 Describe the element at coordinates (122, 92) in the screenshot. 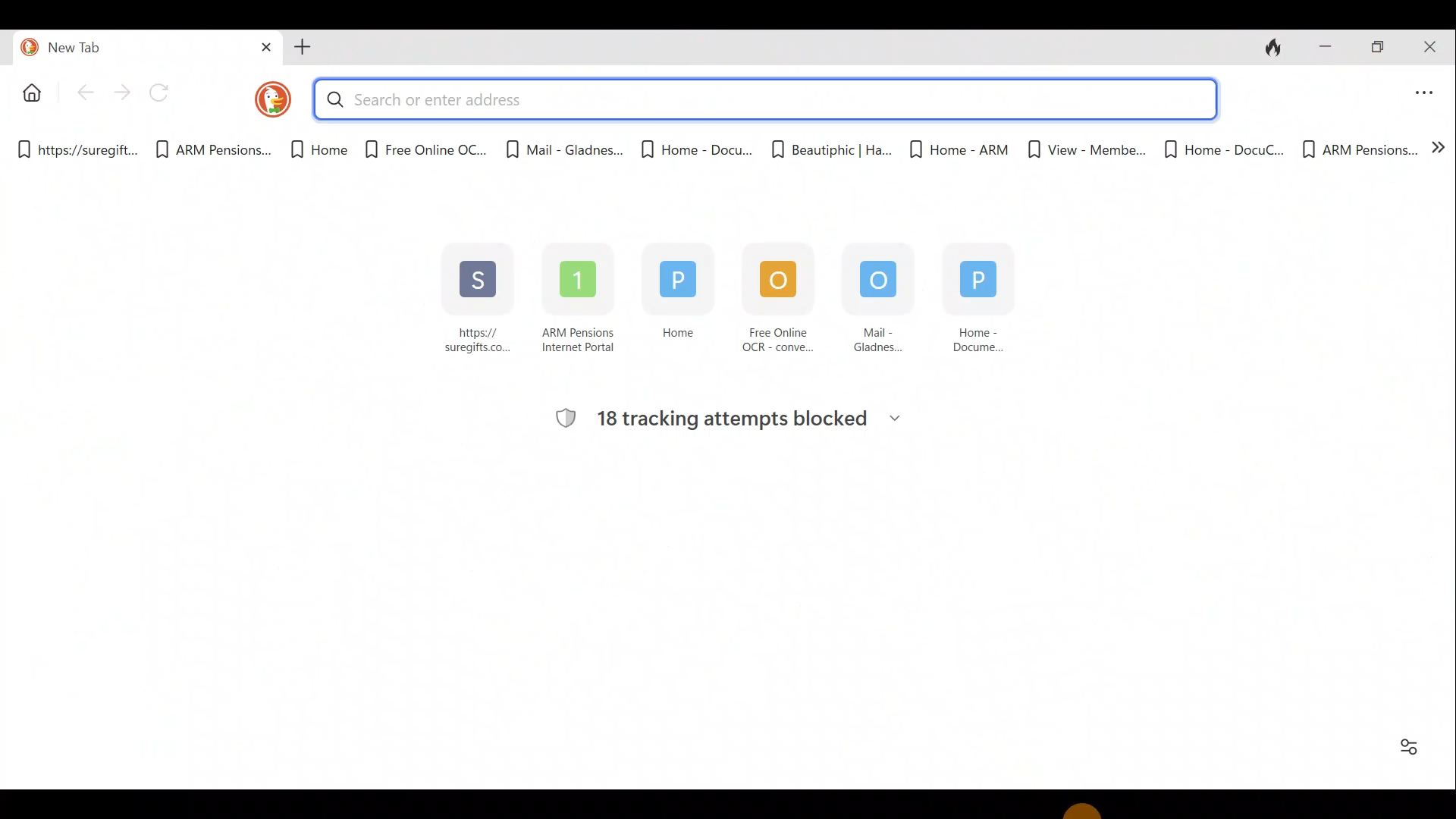

I see `Forward` at that location.